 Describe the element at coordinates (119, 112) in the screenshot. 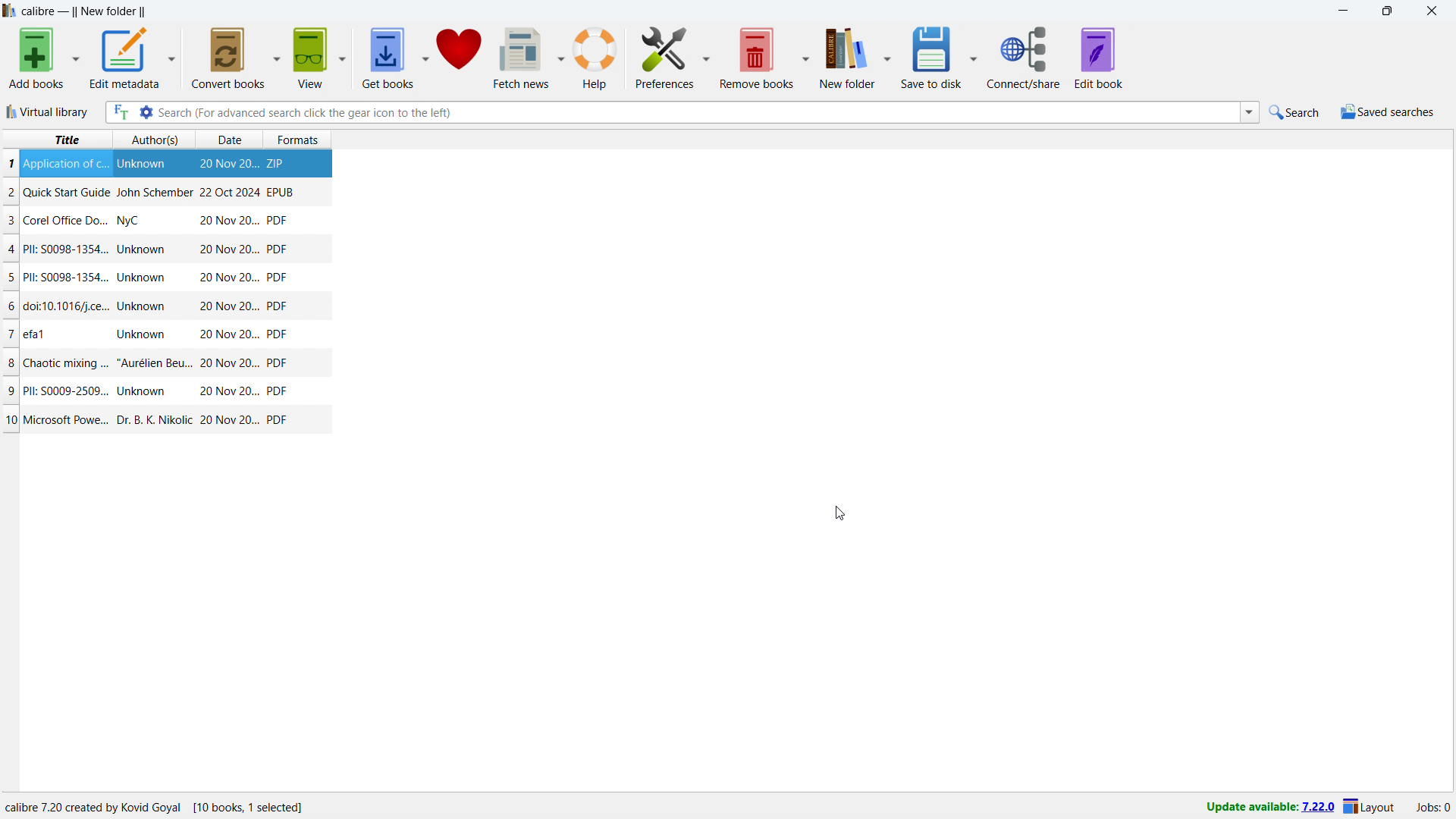

I see `full text search` at that location.